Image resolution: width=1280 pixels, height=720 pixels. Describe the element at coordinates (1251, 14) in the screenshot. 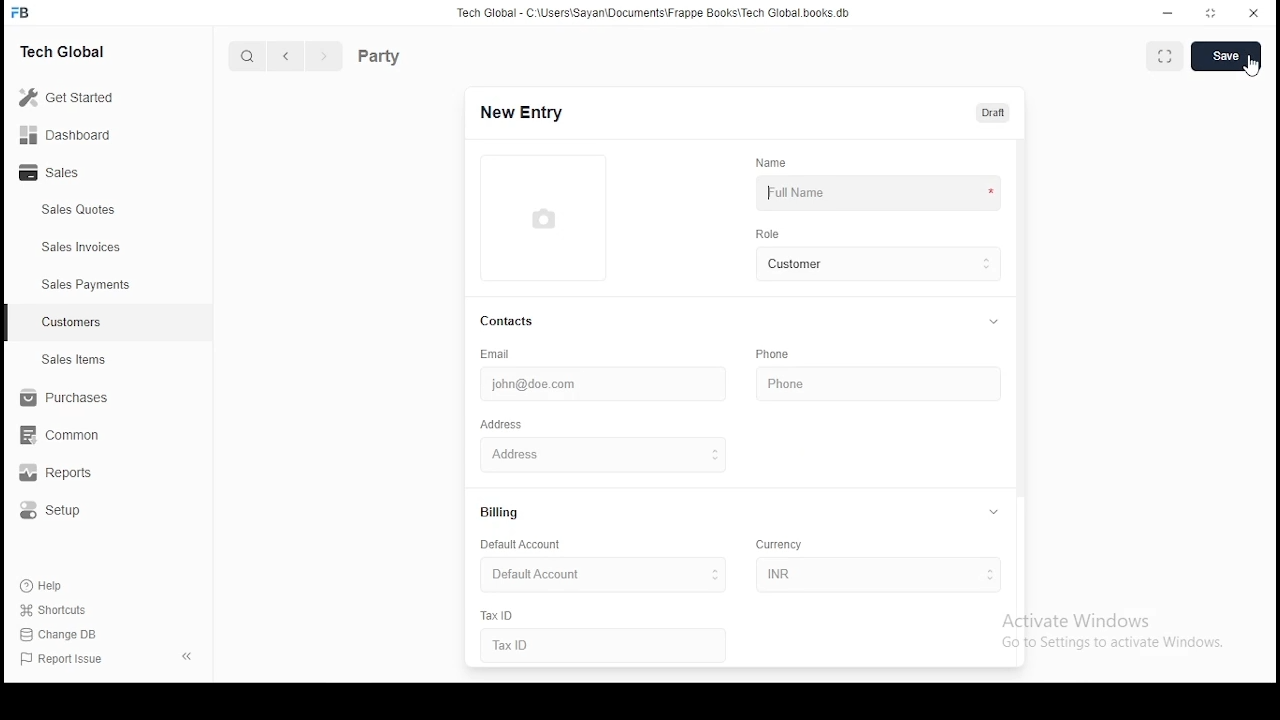

I see `close window` at that location.